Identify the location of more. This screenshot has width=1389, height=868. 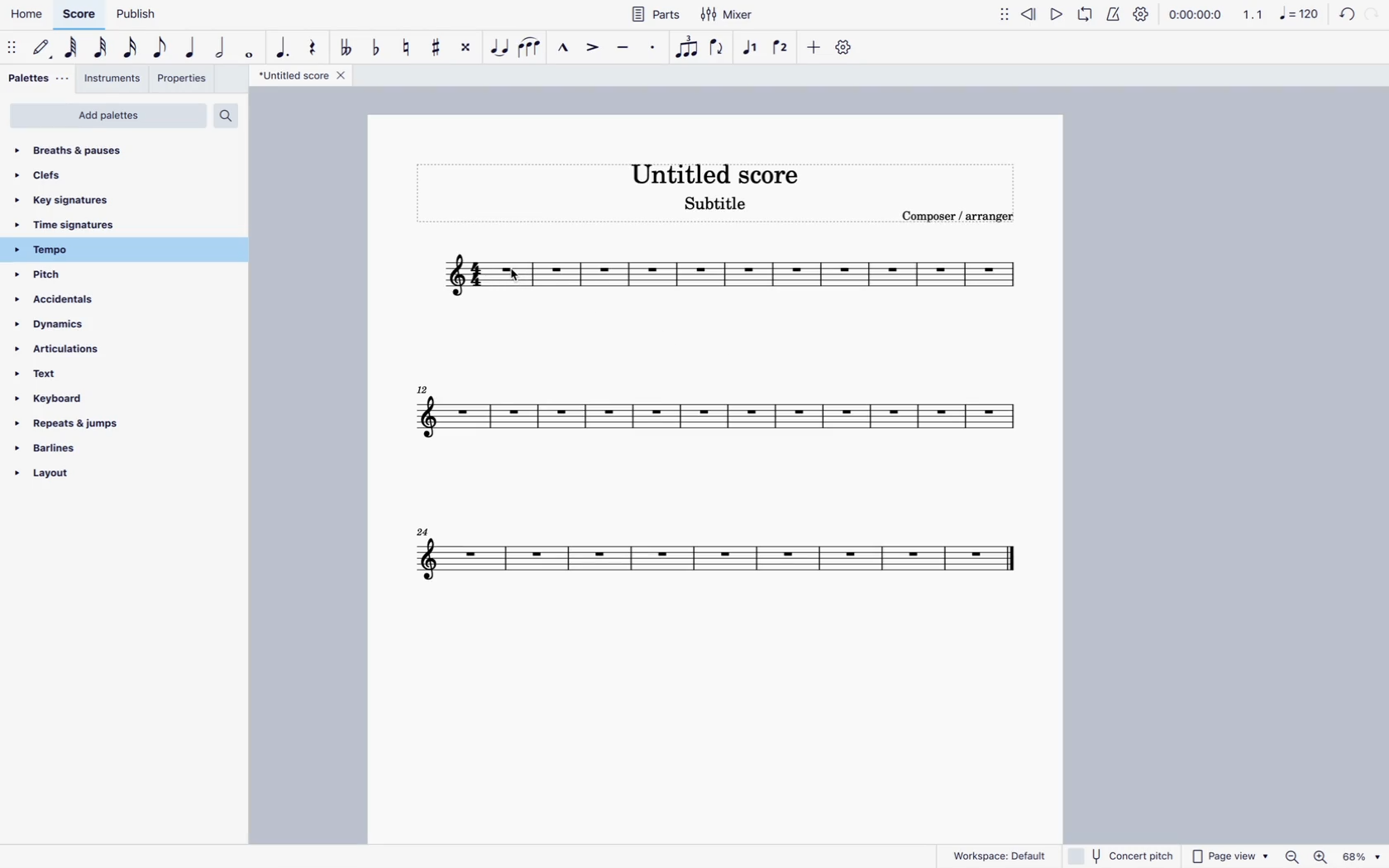
(815, 46).